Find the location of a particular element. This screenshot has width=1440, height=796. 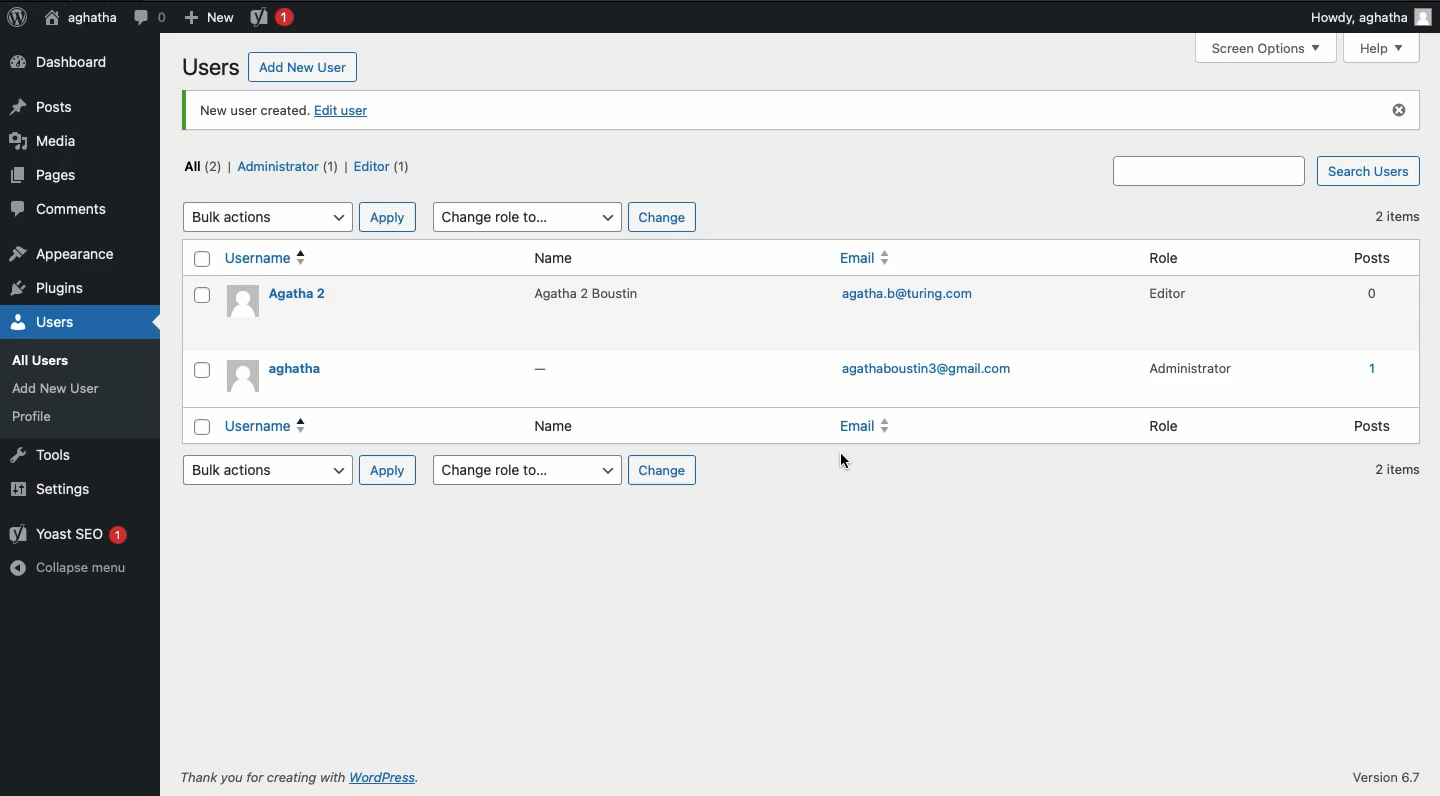

2 items is located at coordinates (1397, 467).